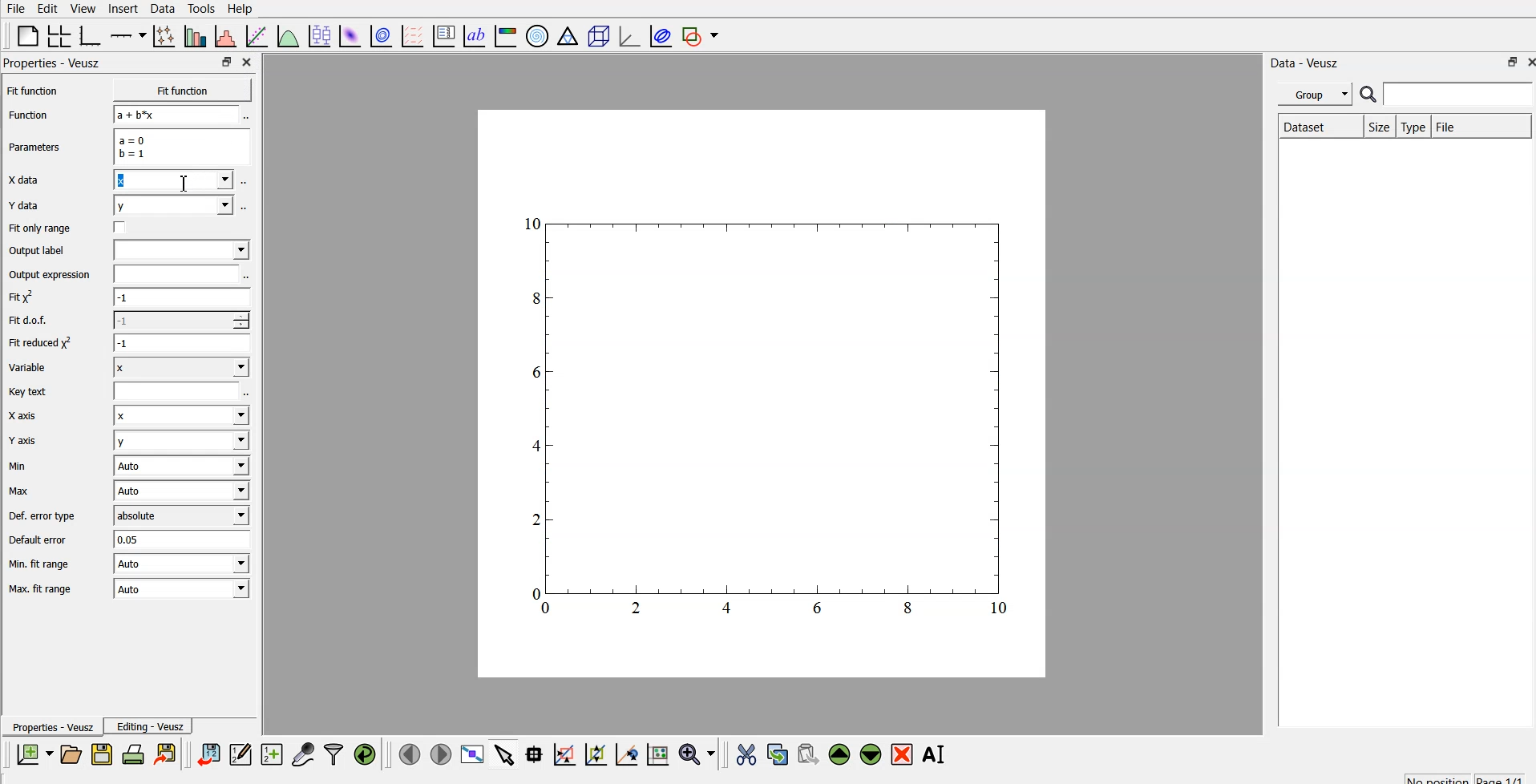 This screenshot has width=1536, height=784. What do you see at coordinates (243, 755) in the screenshot?
I see `edit and  enter new data sets` at bounding box center [243, 755].